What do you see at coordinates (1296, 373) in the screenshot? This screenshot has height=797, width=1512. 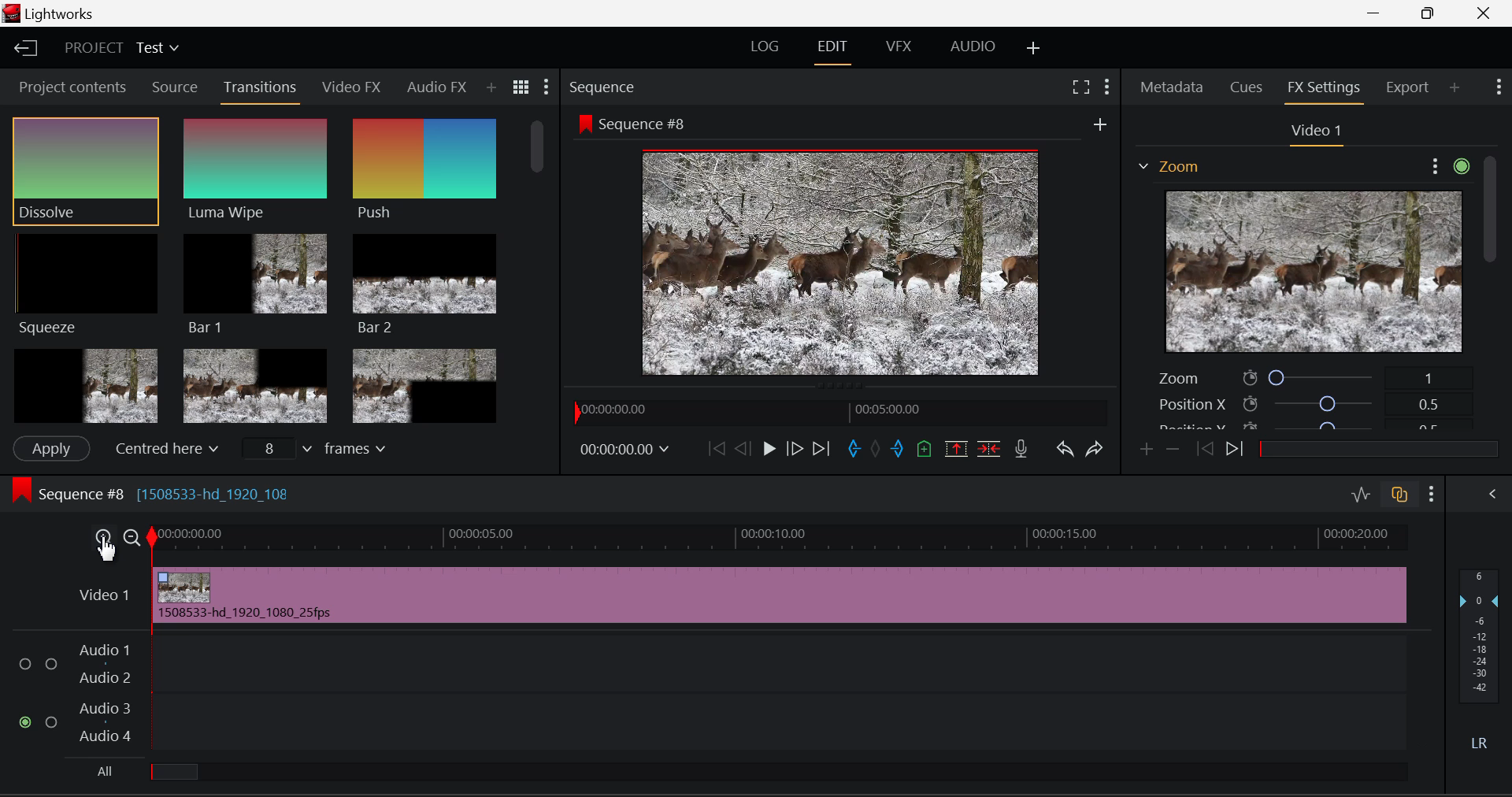 I see `Zoom` at bounding box center [1296, 373].